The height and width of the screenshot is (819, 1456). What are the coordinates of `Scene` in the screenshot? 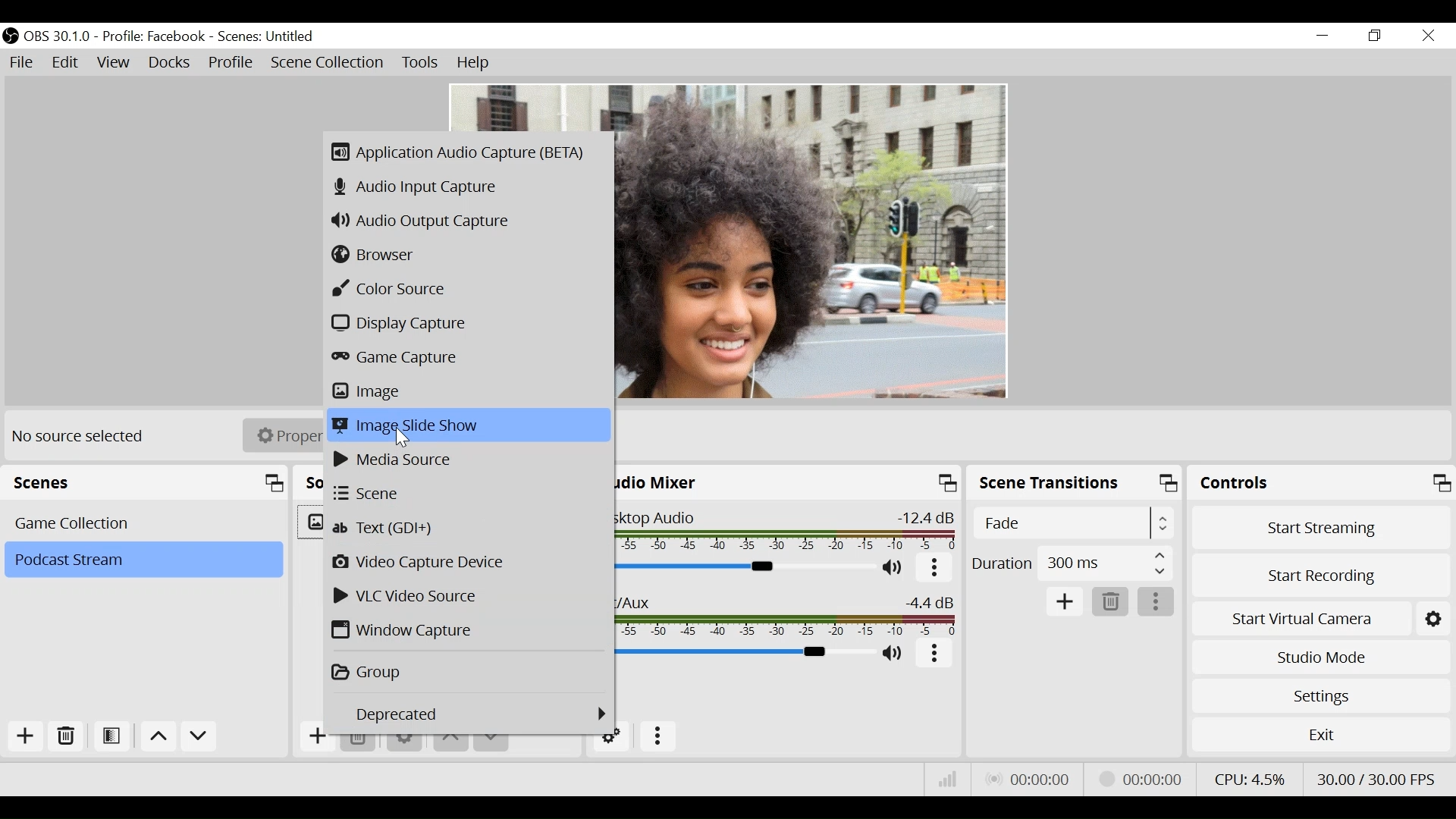 It's located at (146, 522).